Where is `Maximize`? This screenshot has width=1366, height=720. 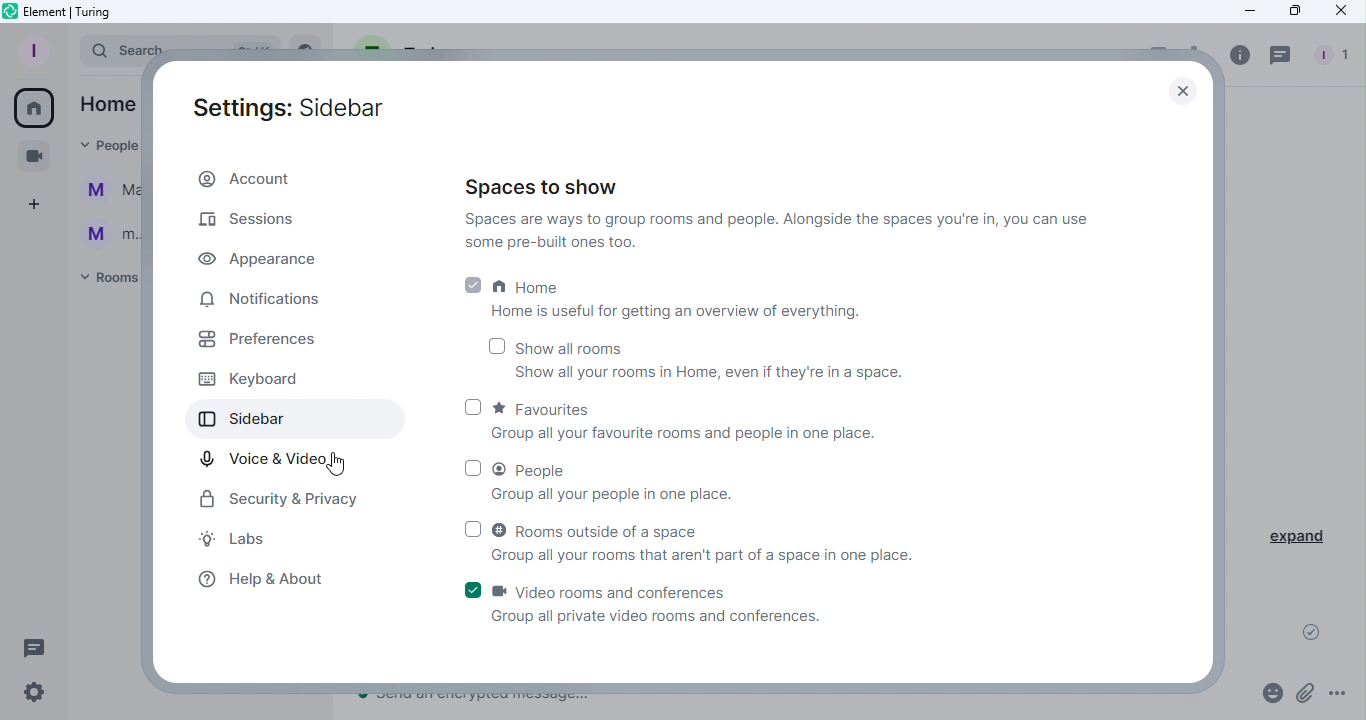 Maximize is located at coordinates (1288, 12).